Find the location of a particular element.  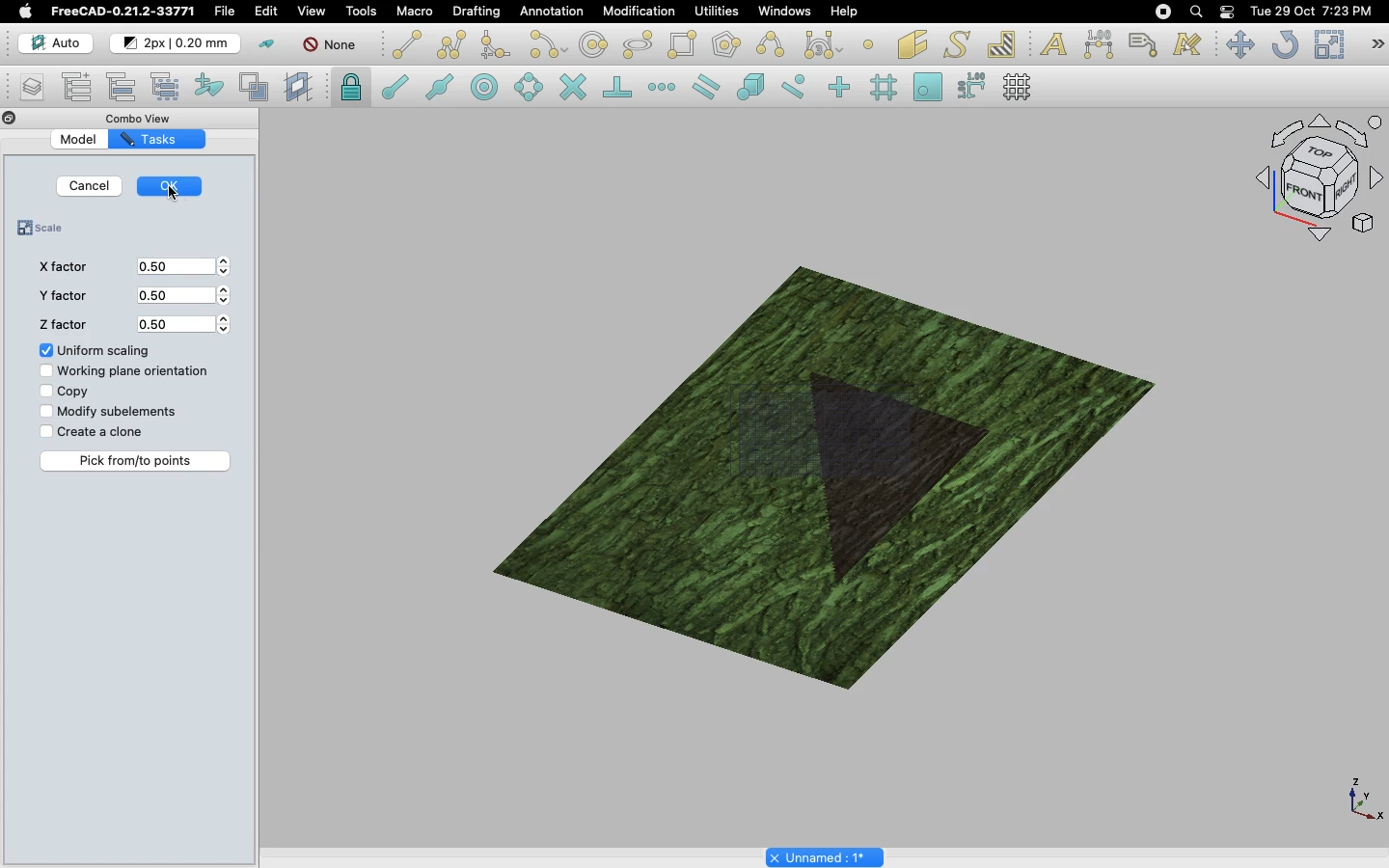

Z factor is located at coordinates (62, 326).